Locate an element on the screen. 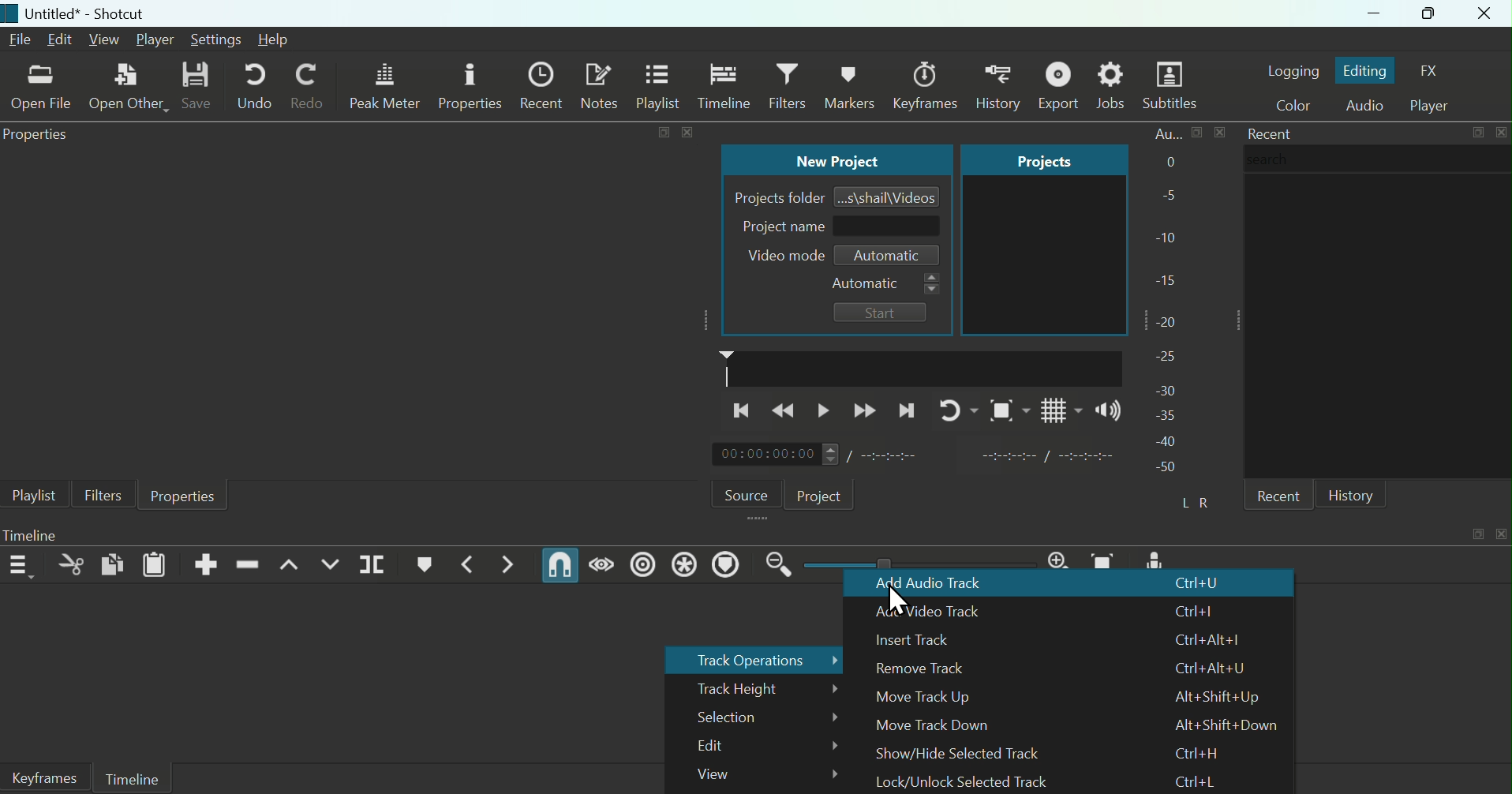  New Project is located at coordinates (833, 160).